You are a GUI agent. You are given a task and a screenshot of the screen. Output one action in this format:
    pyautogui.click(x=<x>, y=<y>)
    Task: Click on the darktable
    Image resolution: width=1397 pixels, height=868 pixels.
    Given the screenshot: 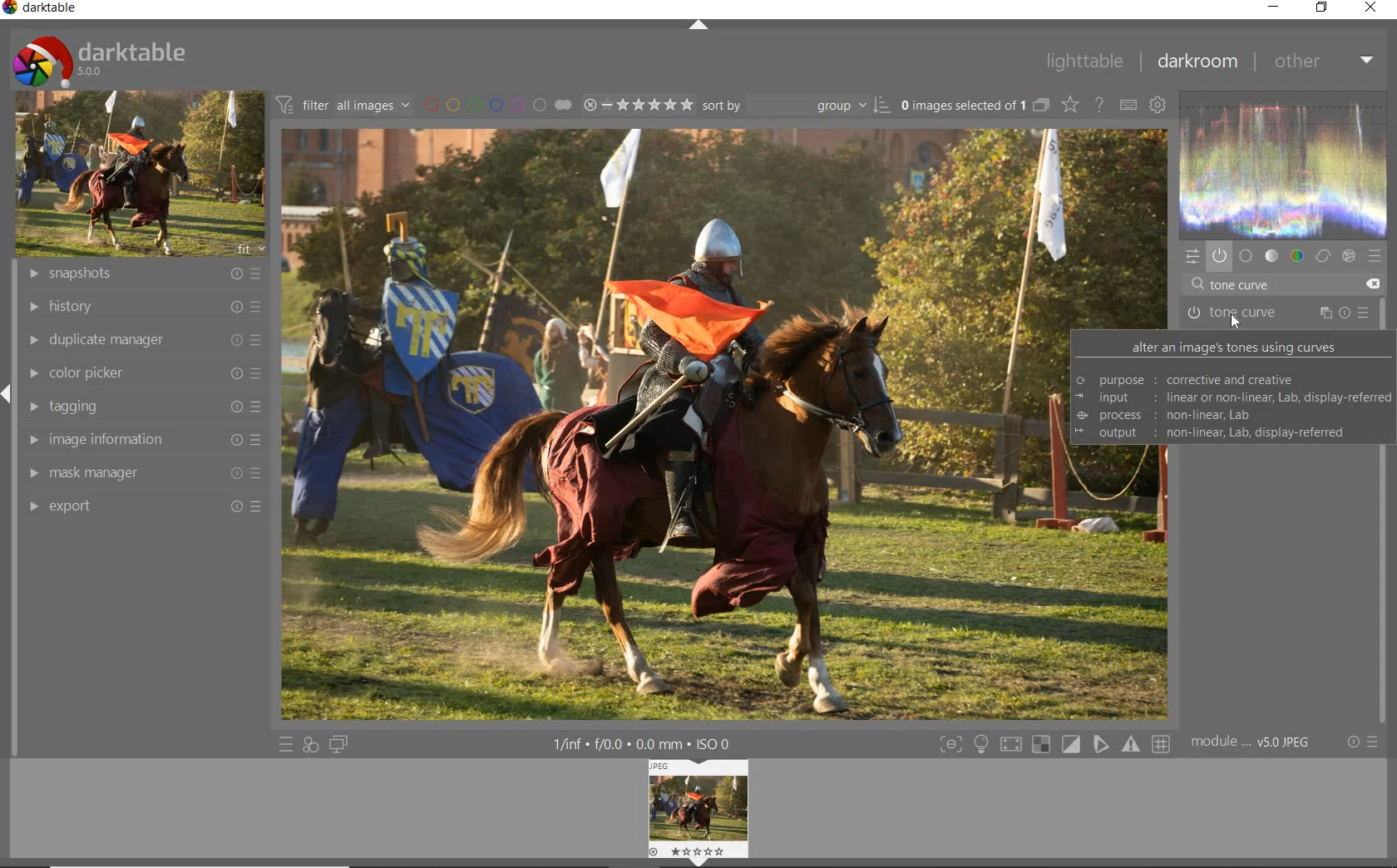 What is the action you would take?
    pyautogui.click(x=98, y=57)
    